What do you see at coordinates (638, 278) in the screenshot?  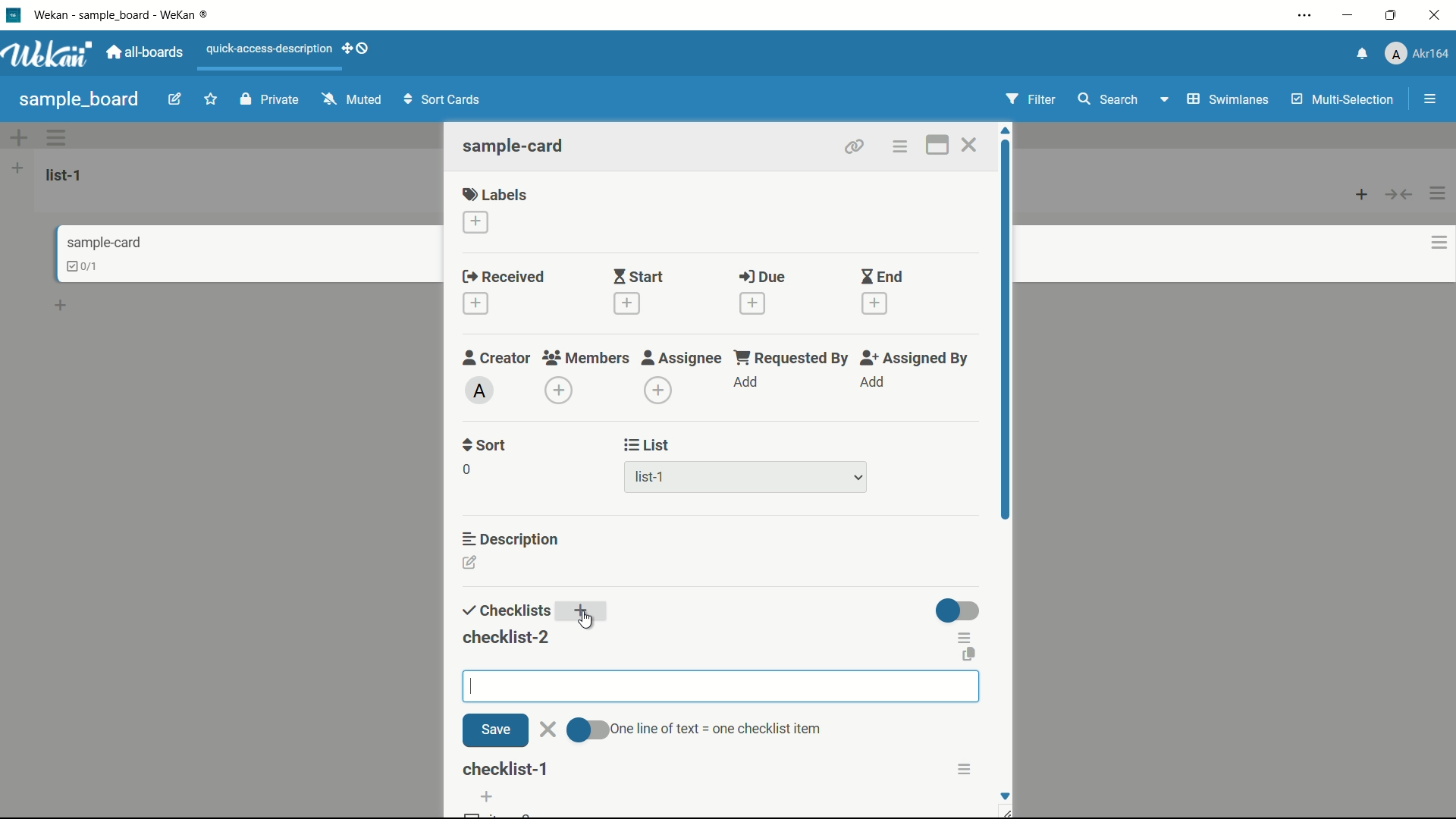 I see `start` at bounding box center [638, 278].